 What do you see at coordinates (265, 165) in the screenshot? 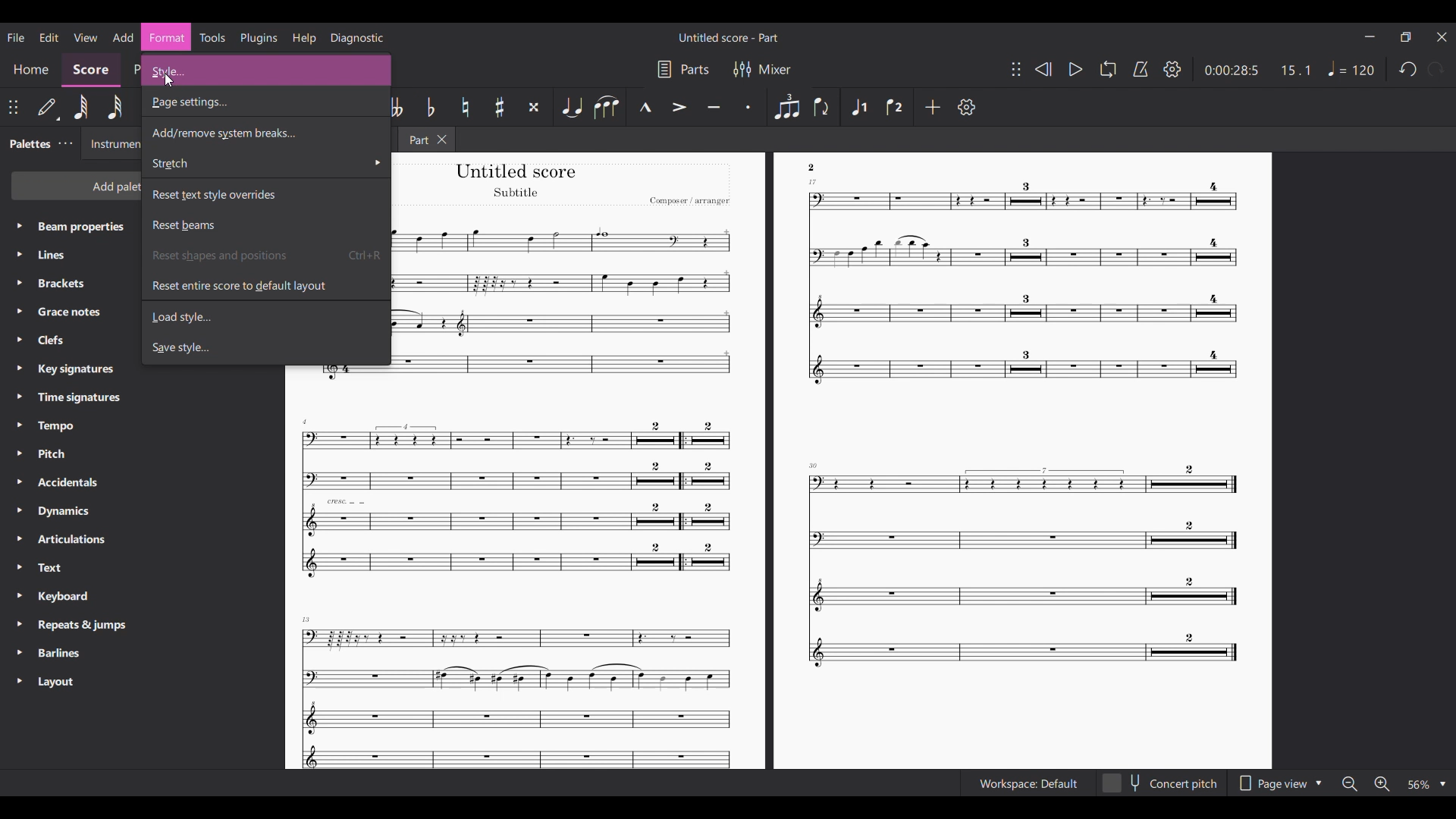
I see `Stretch options` at bounding box center [265, 165].